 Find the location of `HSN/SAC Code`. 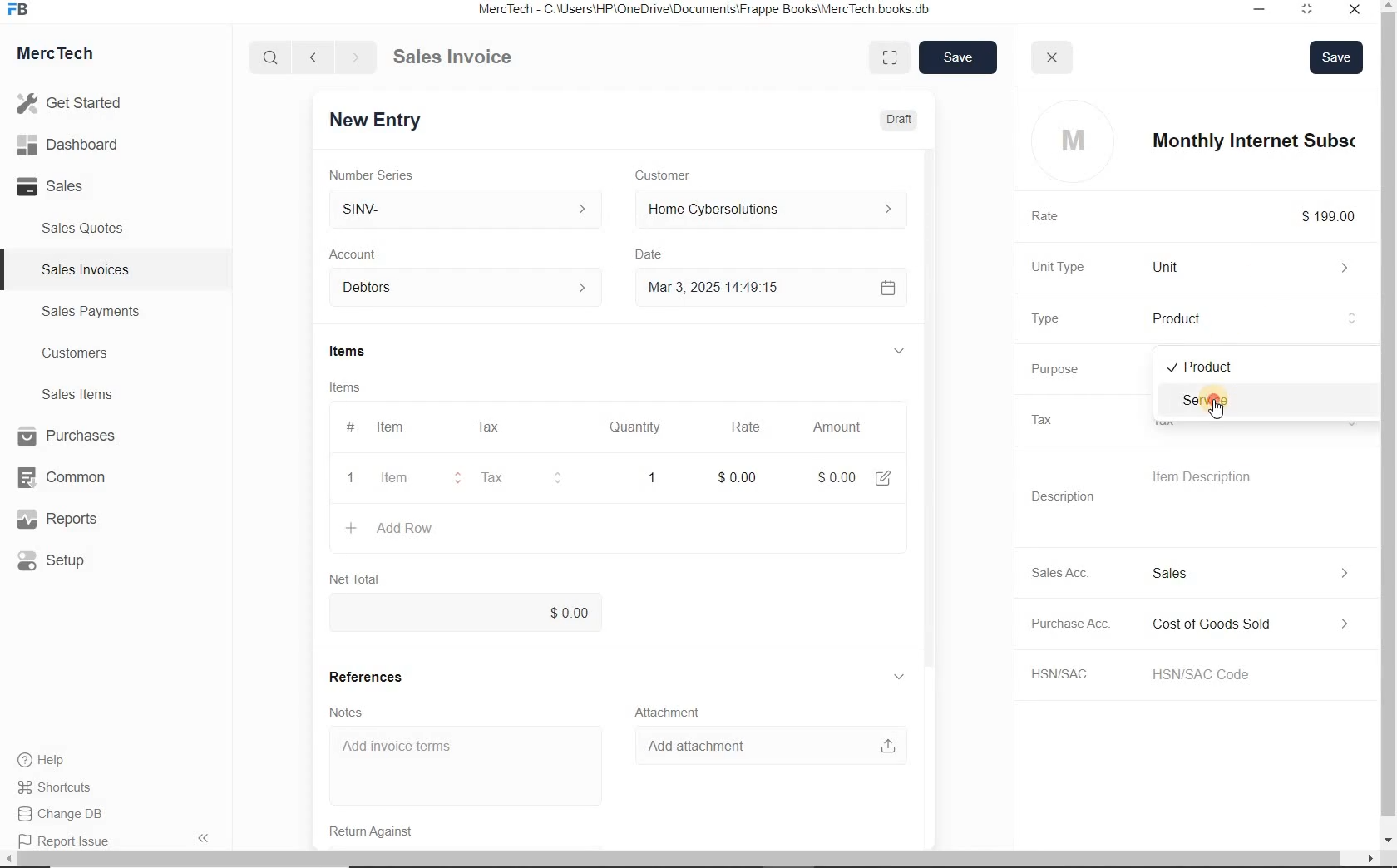

HSN/SAC Code is located at coordinates (1226, 673).